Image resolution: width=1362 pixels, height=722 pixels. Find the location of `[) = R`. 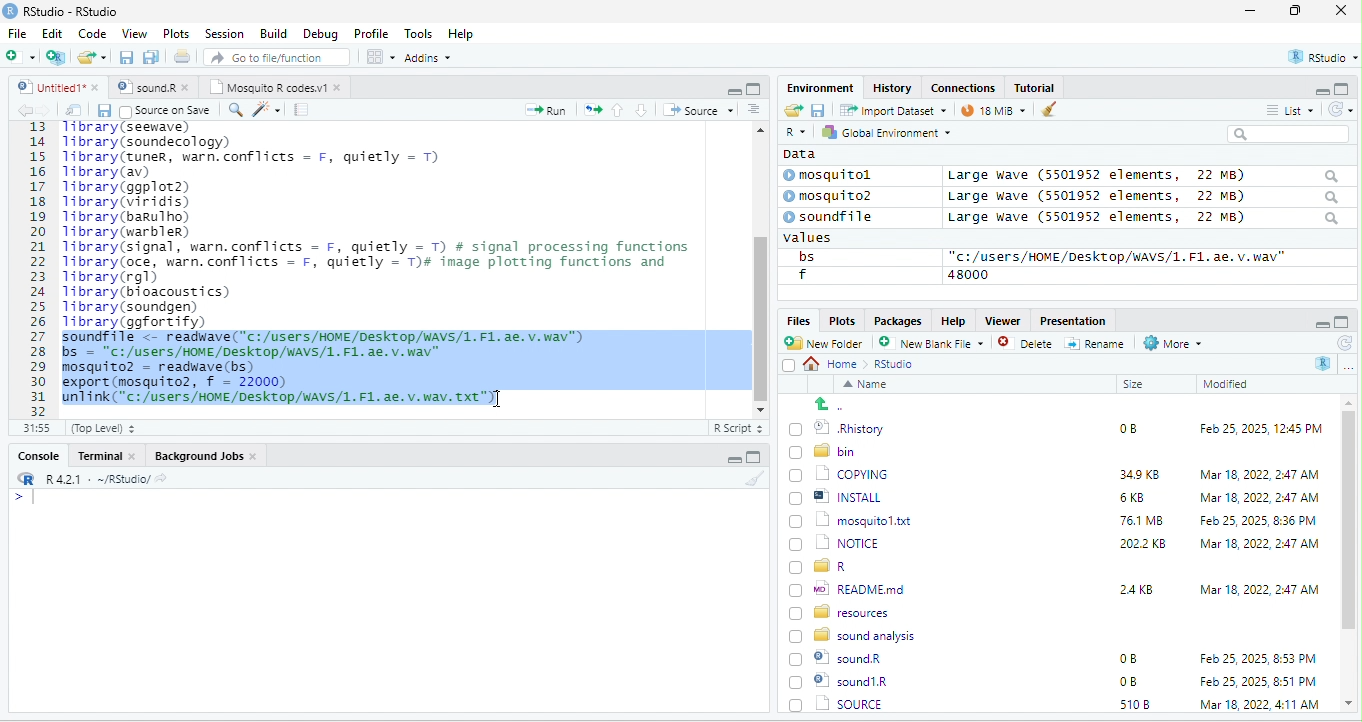

[) = R is located at coordinates (830, 567).